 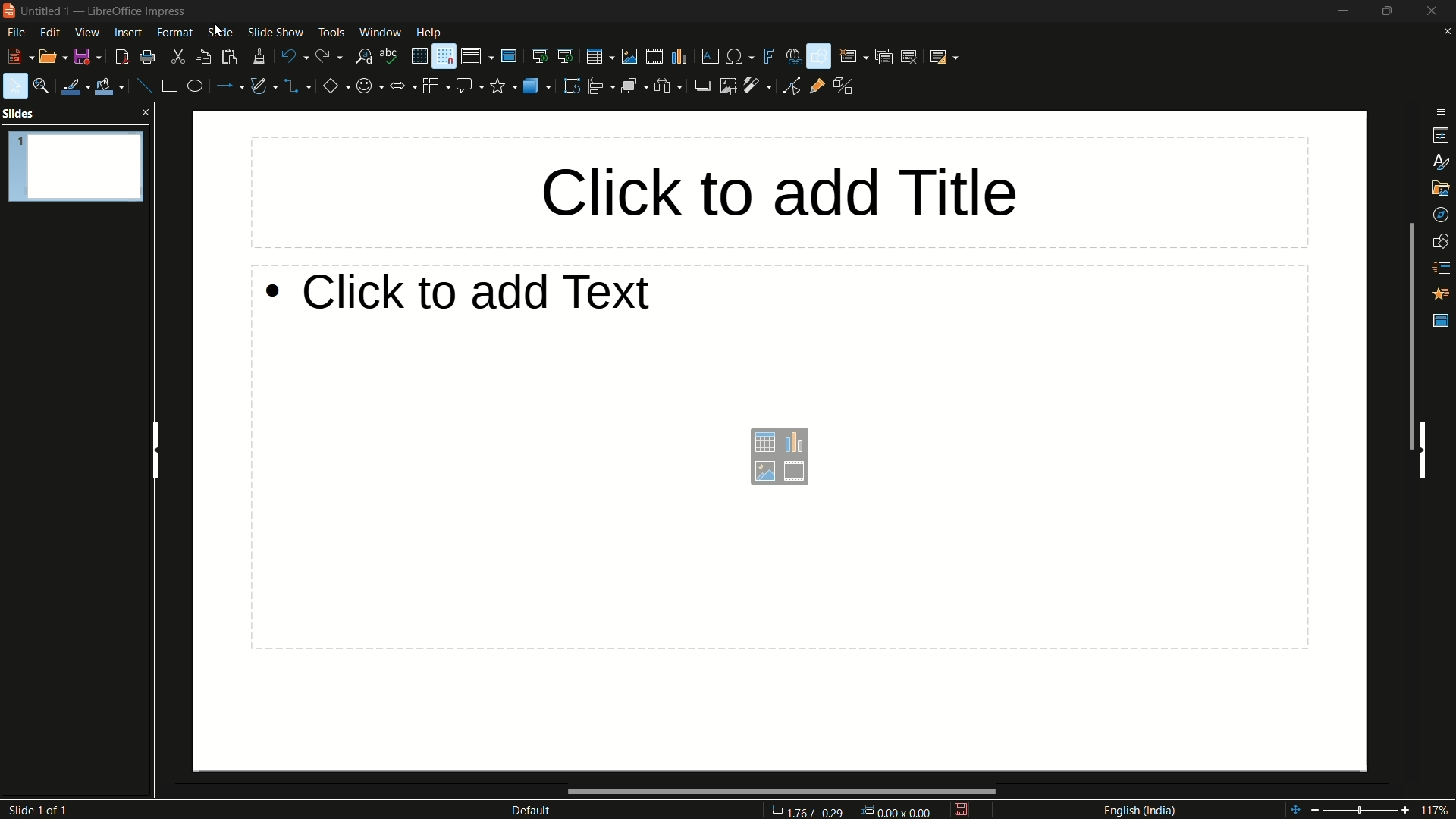 What do you see at coordinates (1424, 450) in the screenshot?
I see `hide` at bounding box center [1424, 450].